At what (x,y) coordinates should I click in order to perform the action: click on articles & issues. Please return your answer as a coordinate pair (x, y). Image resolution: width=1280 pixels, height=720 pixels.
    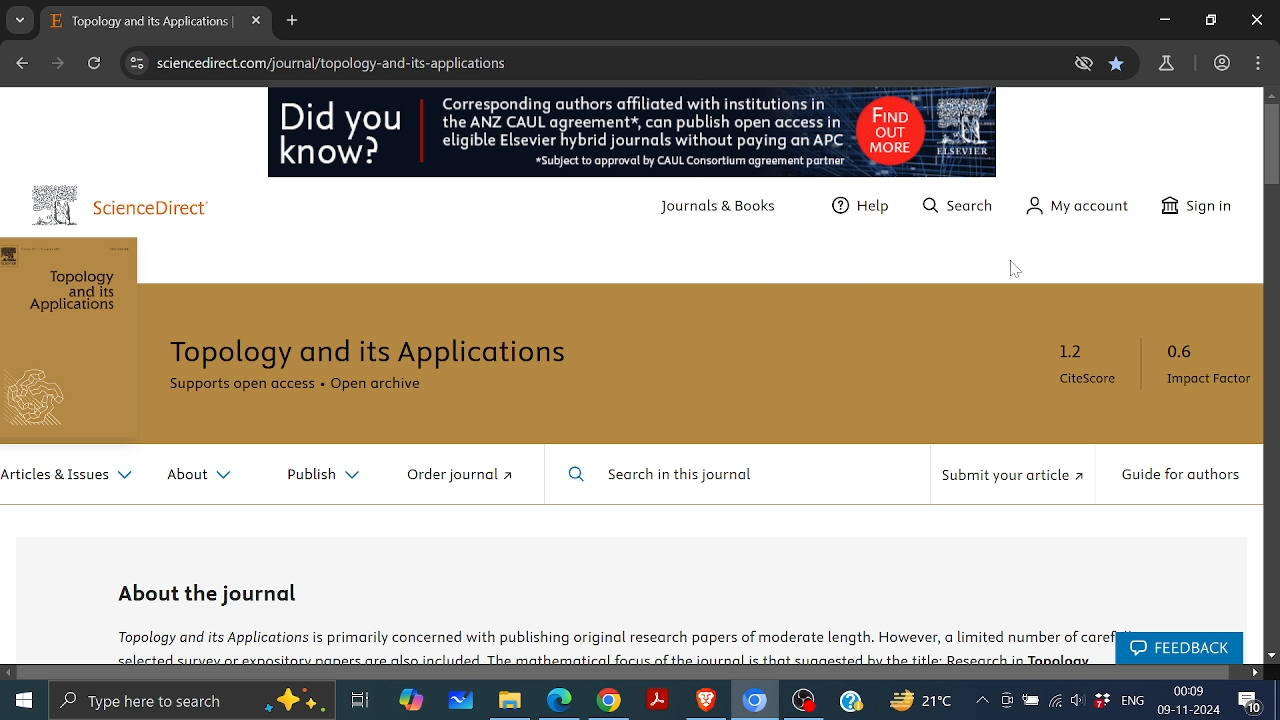
    Looking at the image, I should click on (67, 479).